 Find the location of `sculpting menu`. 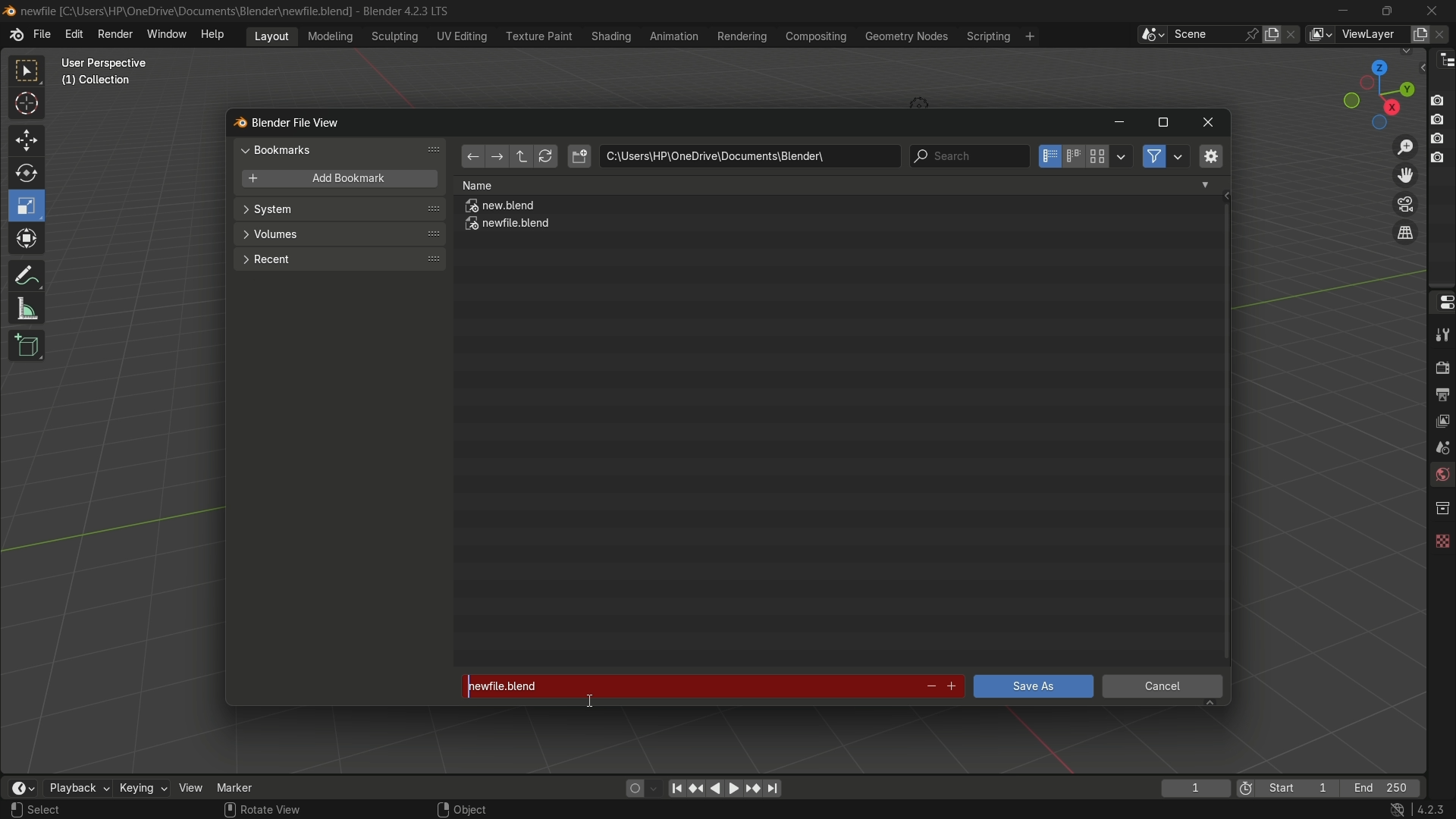

sculpting menu is located at coordinates (391, 36).